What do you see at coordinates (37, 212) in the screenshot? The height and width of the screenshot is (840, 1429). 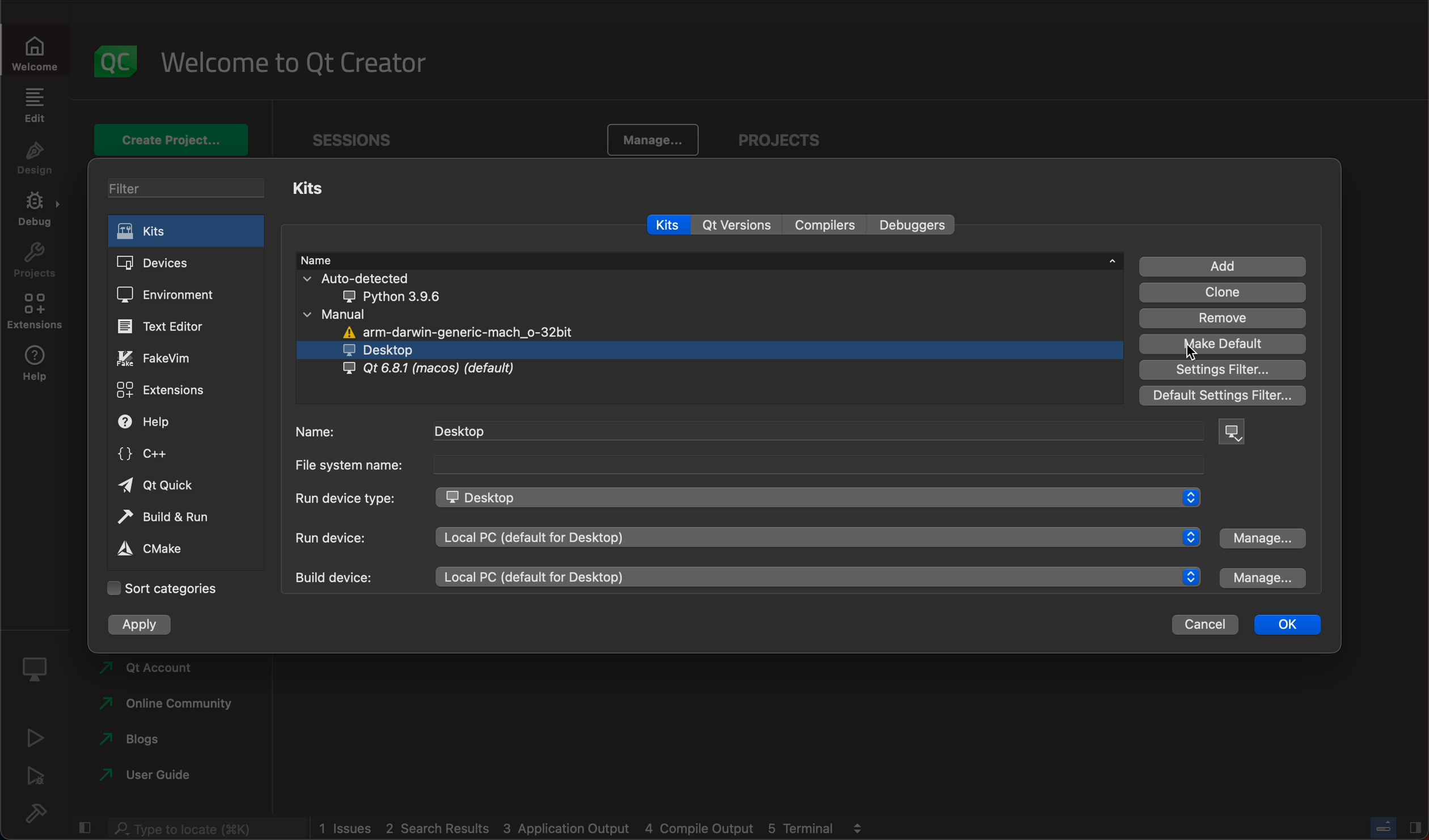 I see `debug` at bounding box center [37, 212].